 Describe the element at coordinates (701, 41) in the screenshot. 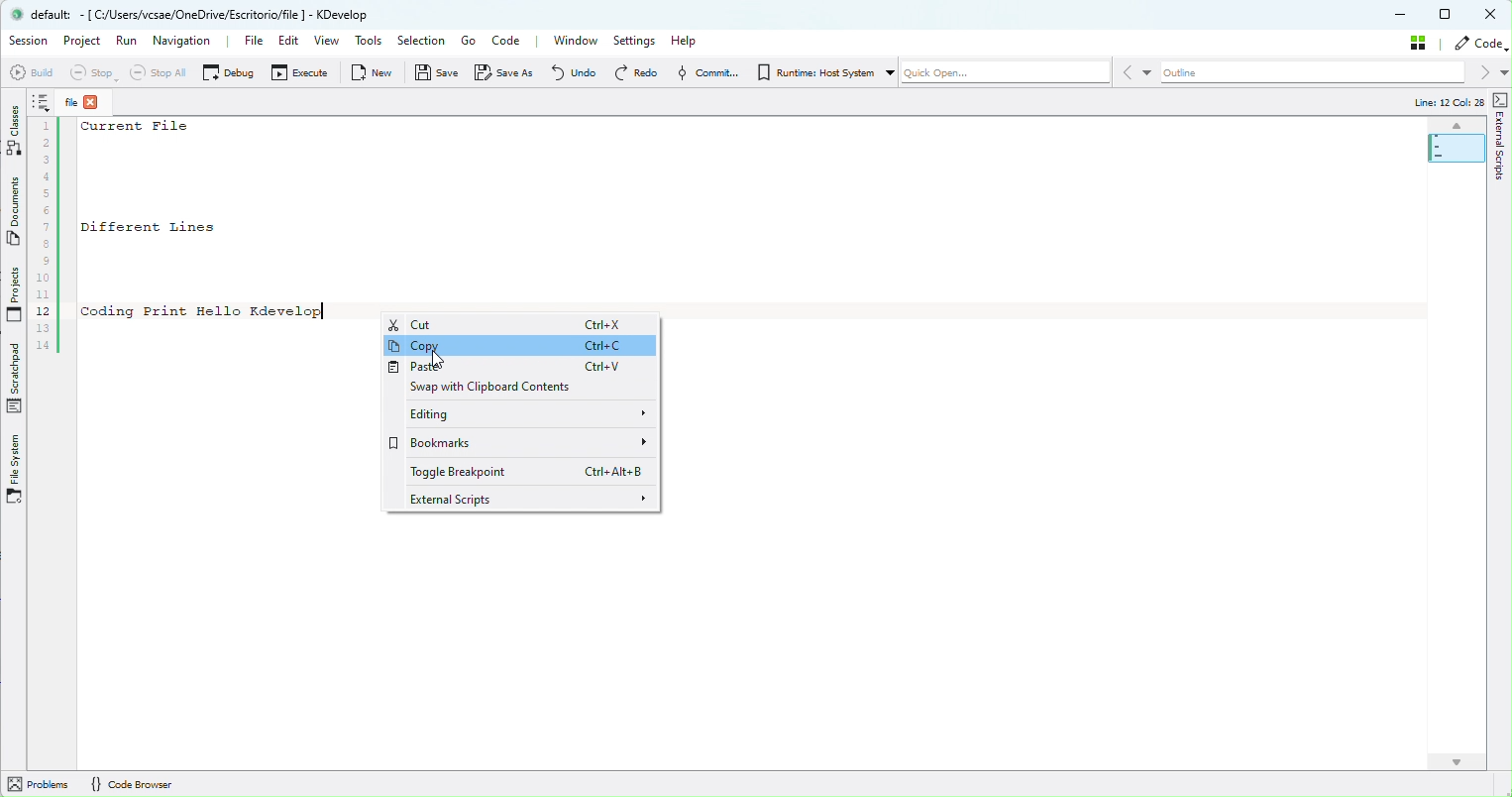

I see `Help` at that location.